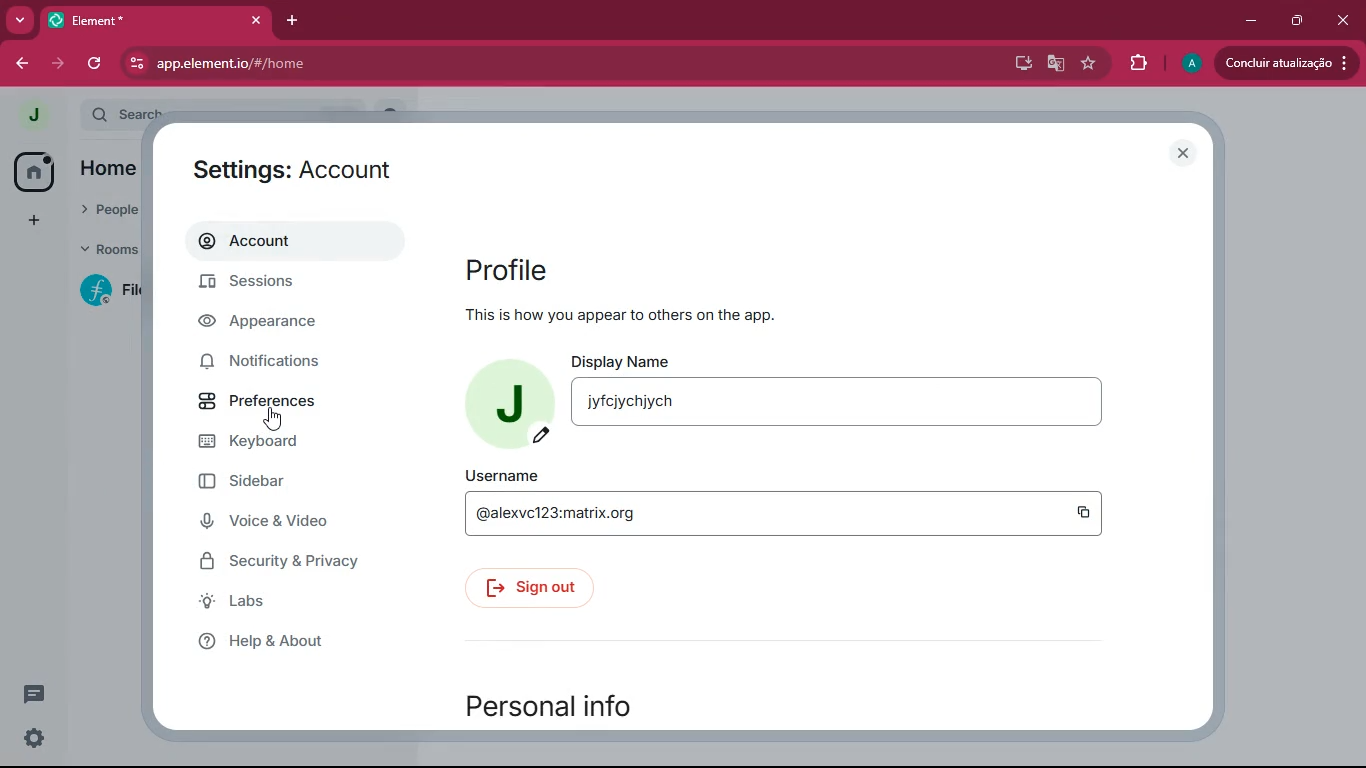 The image size is (1366, 768). I want to click on comments, so click(34, 693).